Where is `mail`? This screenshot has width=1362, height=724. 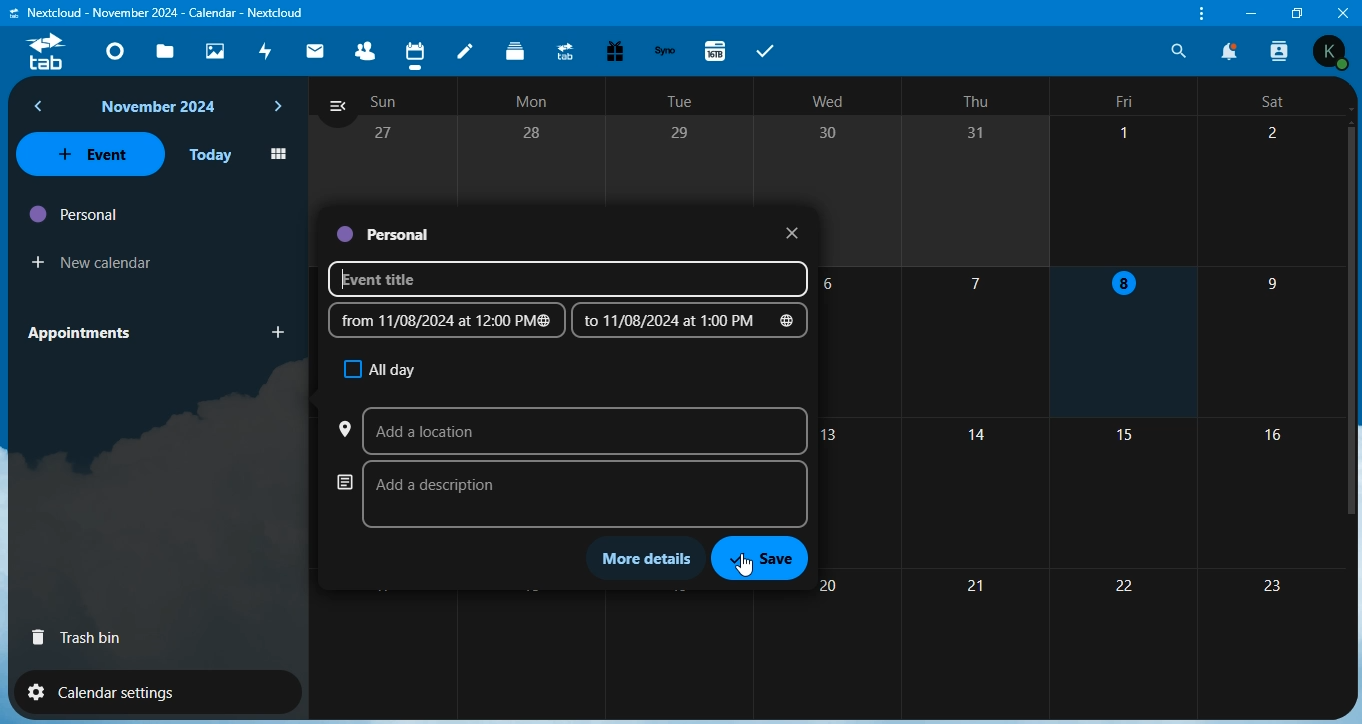
mail is located at coordinates (318, 50).